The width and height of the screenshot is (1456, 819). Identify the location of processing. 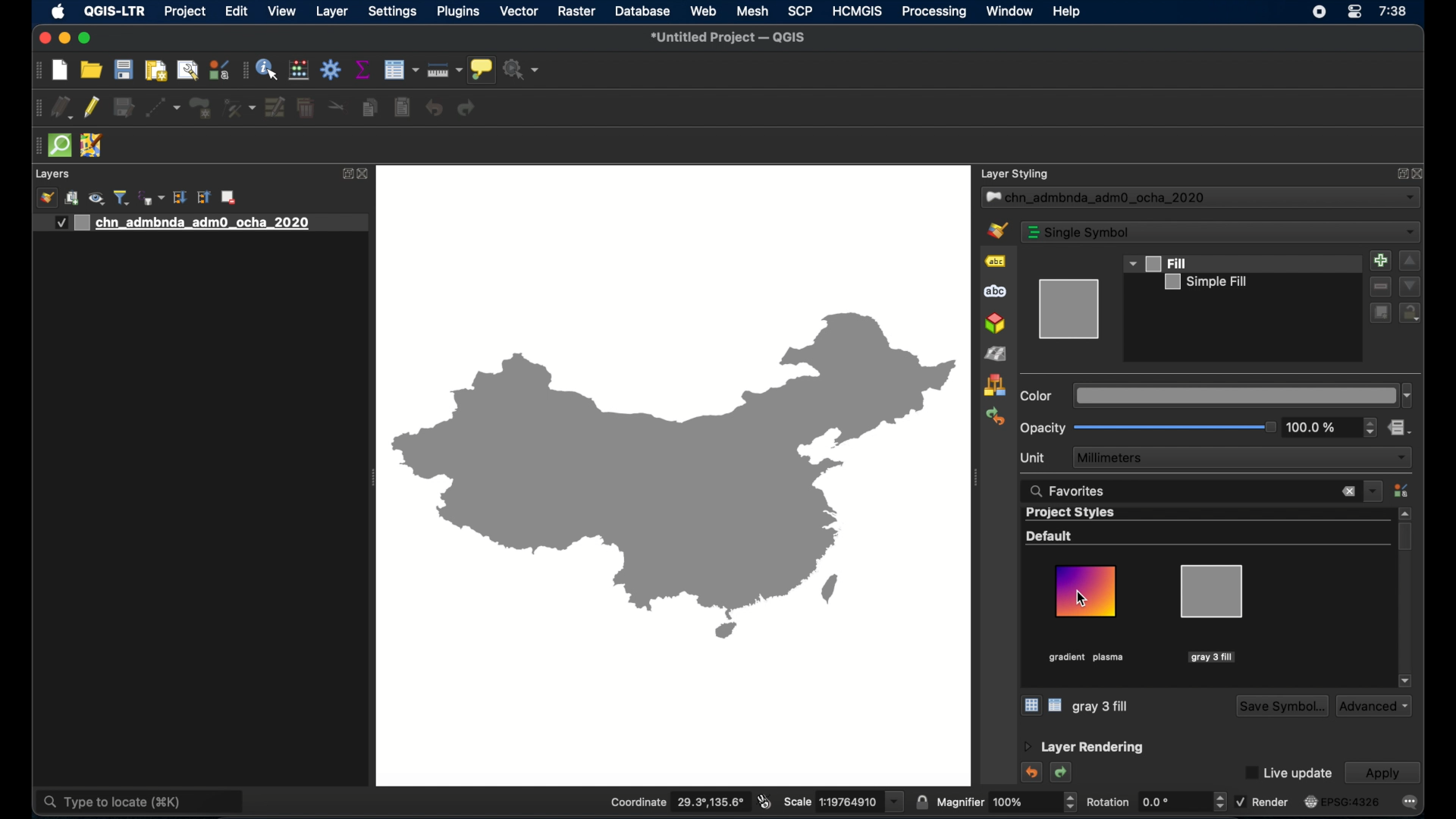
(934, 12).